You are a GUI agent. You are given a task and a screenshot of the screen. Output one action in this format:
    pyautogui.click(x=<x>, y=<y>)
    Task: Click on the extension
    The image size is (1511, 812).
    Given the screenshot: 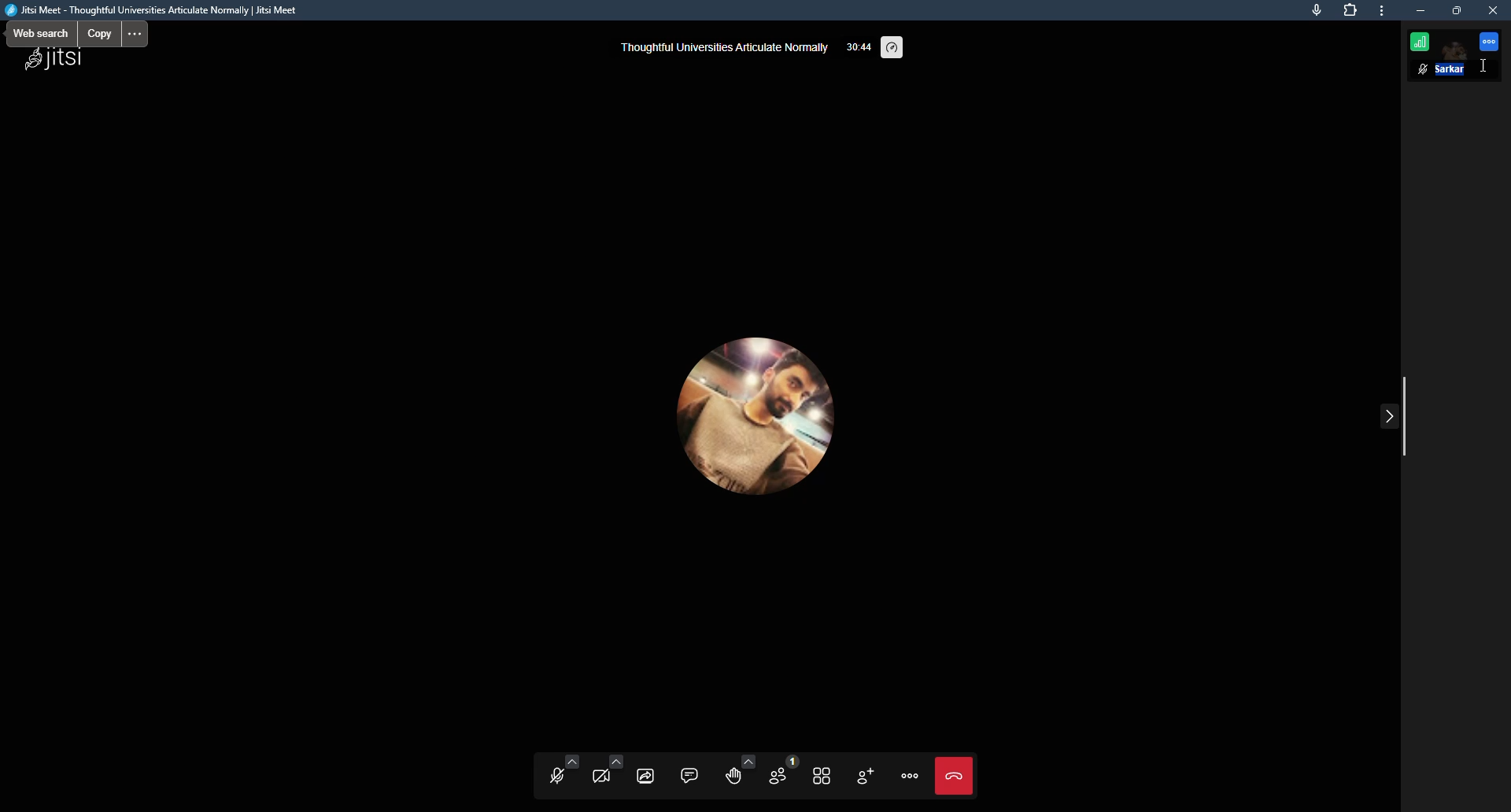 What is the action you would take?
    pyautogui.click(x=1350, y=9)
    